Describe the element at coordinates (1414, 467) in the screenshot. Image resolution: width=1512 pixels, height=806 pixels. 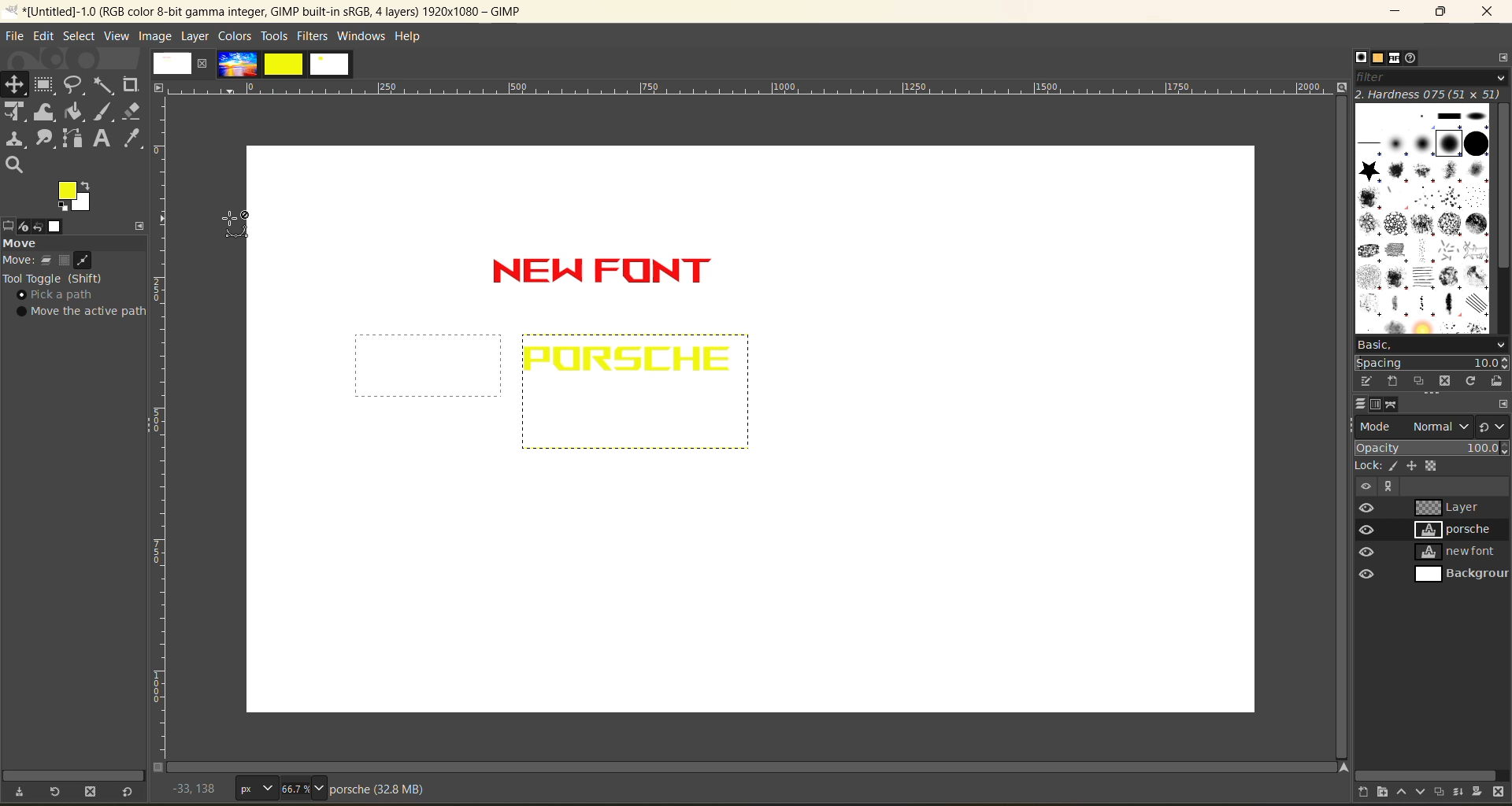
I see `position and size` at that location.